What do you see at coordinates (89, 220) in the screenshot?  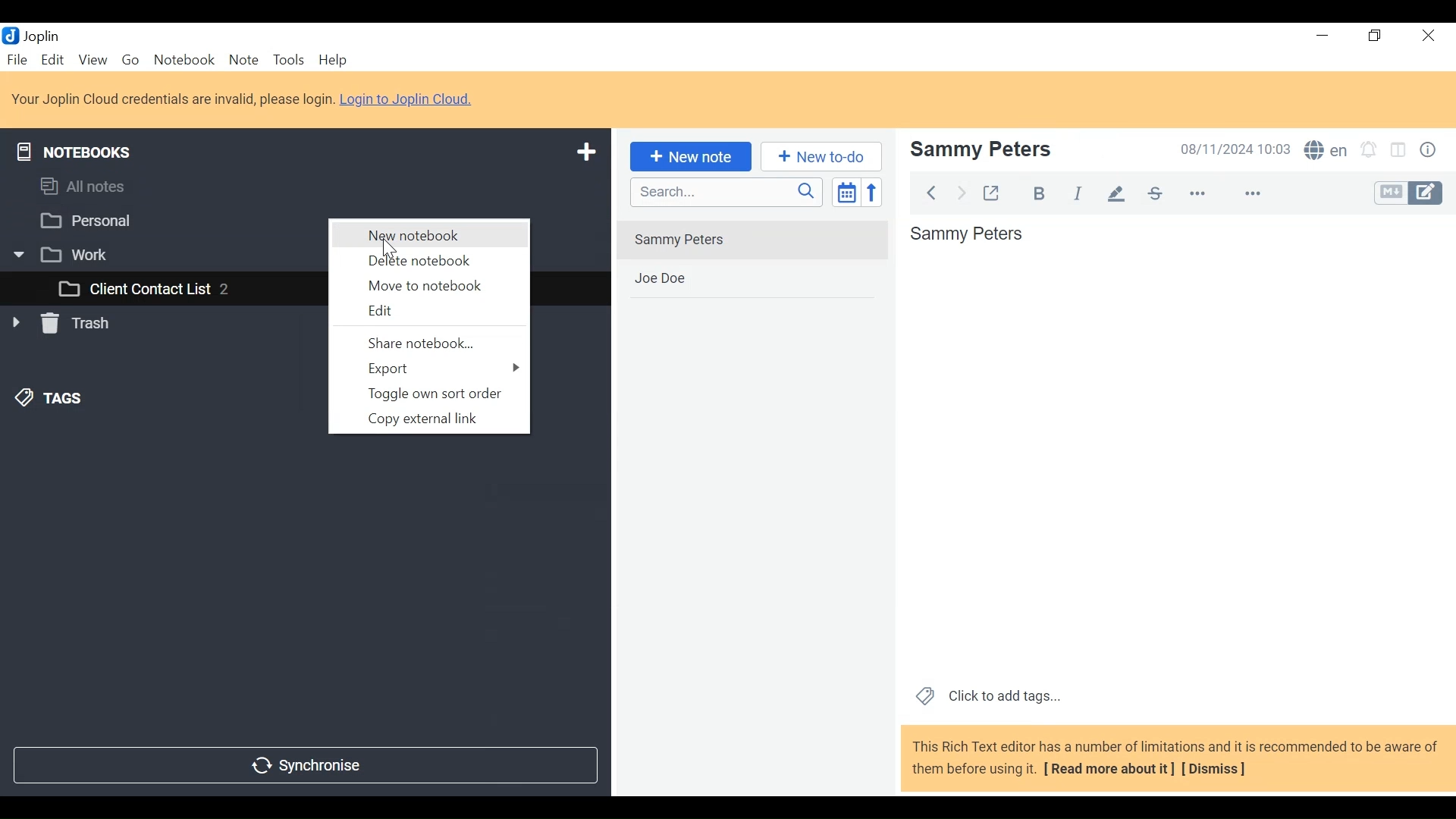 I see `Personal` at bounding box center [89, 220].